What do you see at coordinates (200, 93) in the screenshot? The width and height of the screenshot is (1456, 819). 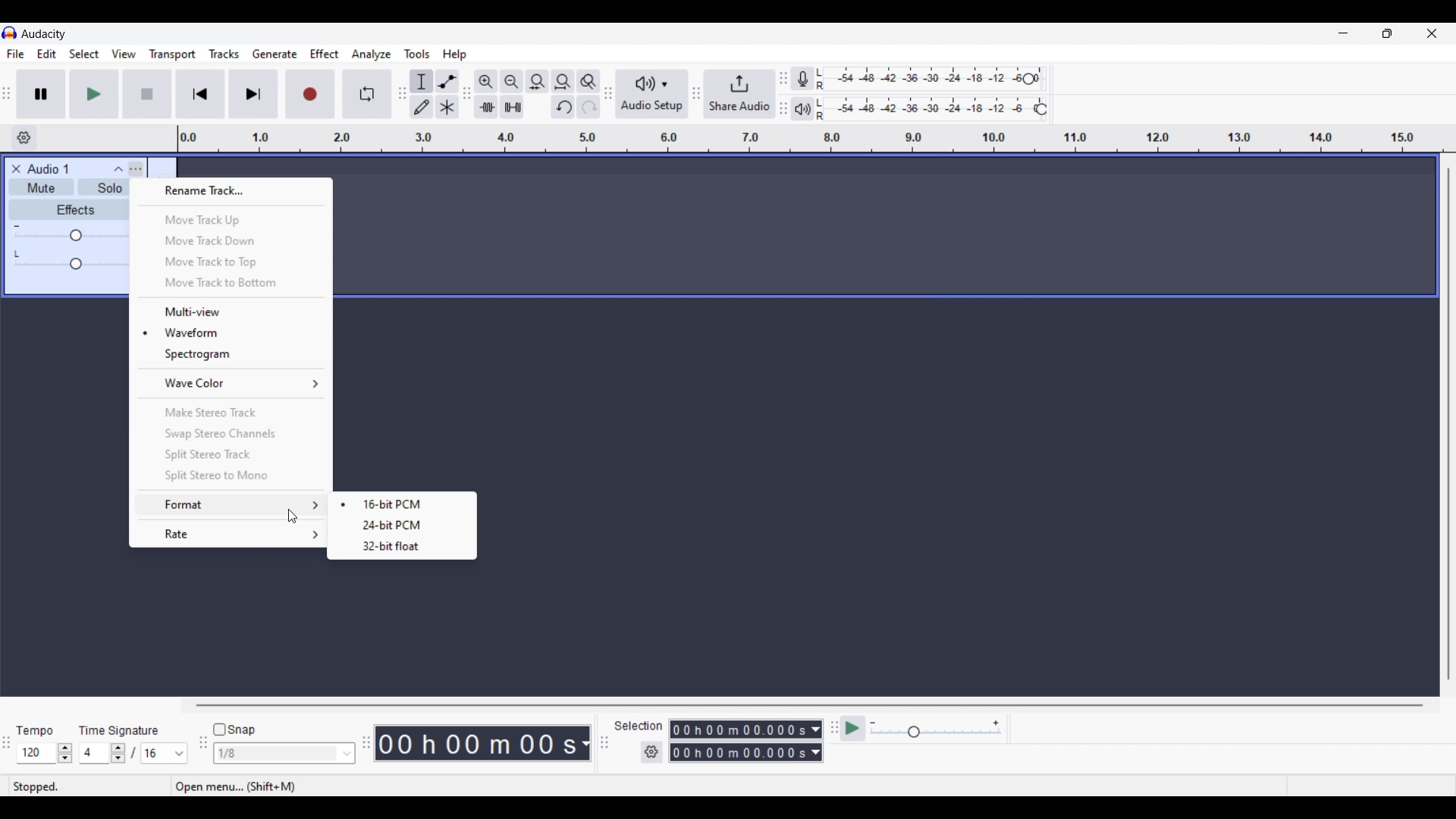 I see `Skip to start/Select to start` at bounding box center [200, 93].